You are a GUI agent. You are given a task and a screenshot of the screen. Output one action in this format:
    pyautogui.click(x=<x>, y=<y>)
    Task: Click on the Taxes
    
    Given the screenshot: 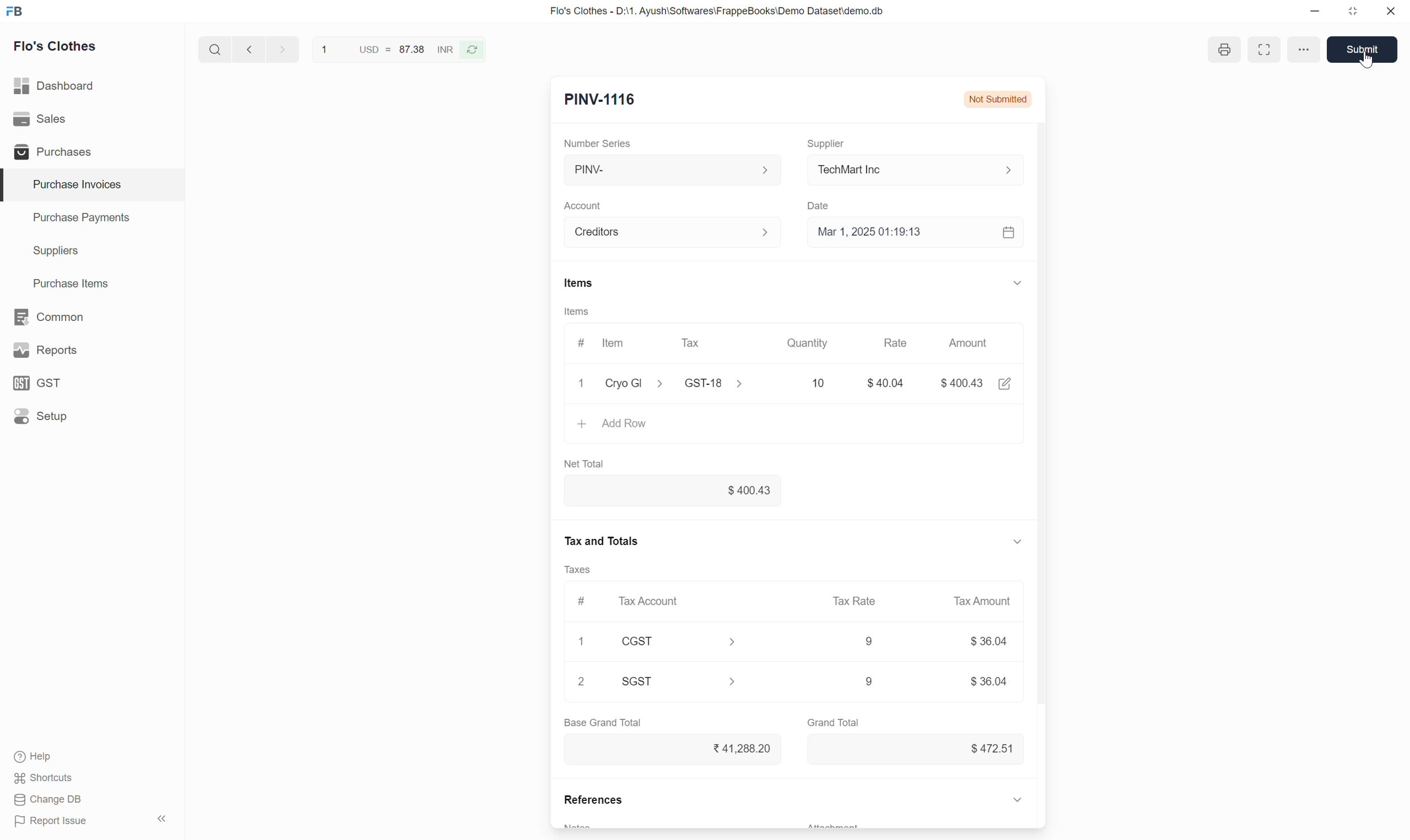 What is the action you would take?
    pyautogui.click(x=582, y=570)
    